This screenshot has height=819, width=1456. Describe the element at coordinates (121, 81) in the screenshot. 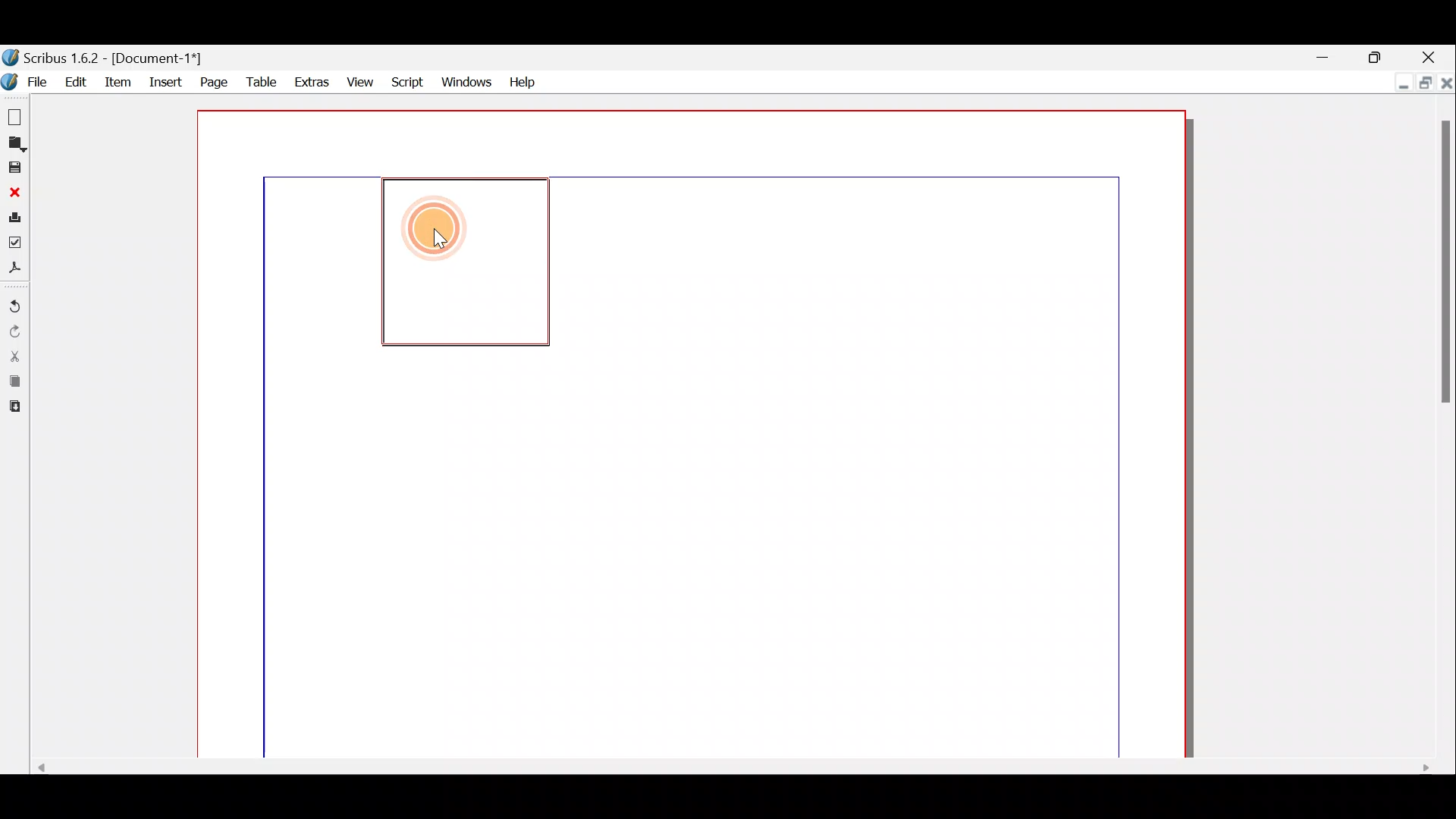

I see `Item` at that location.